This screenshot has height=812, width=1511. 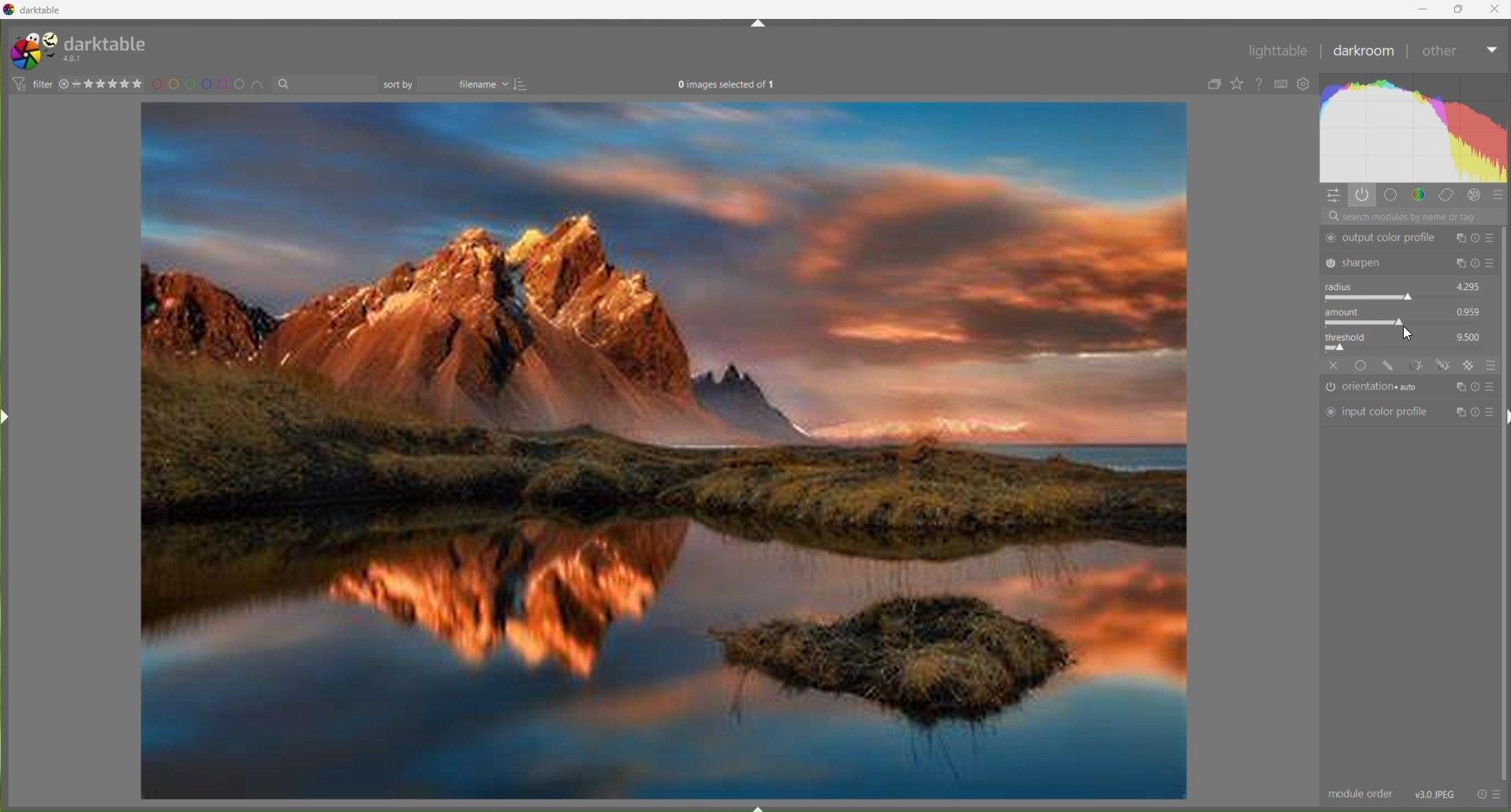 I want to click on threshold, so click(x=1351, y=335).